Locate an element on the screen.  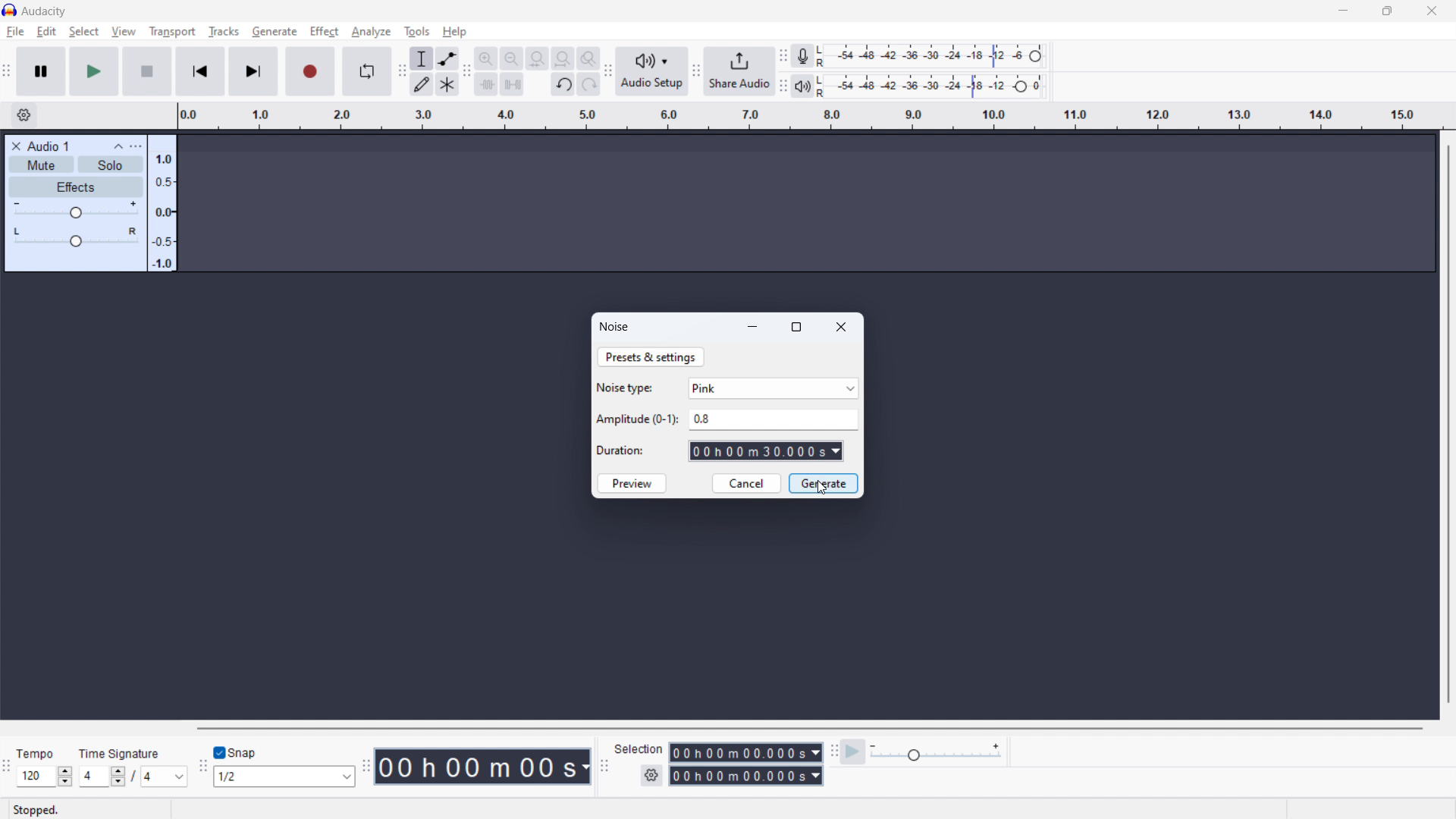
Cursor on generate is located at coordinates (275, 33).